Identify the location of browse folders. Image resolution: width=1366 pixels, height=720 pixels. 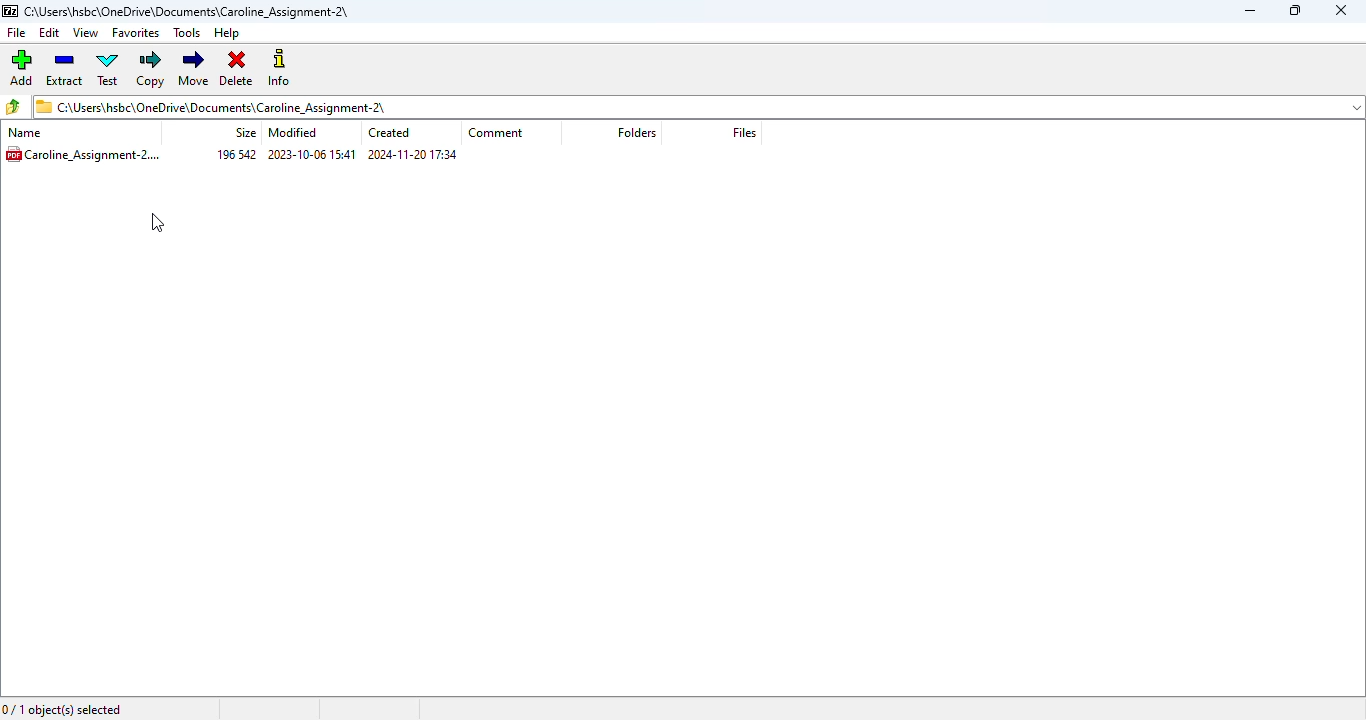
(13, 106).